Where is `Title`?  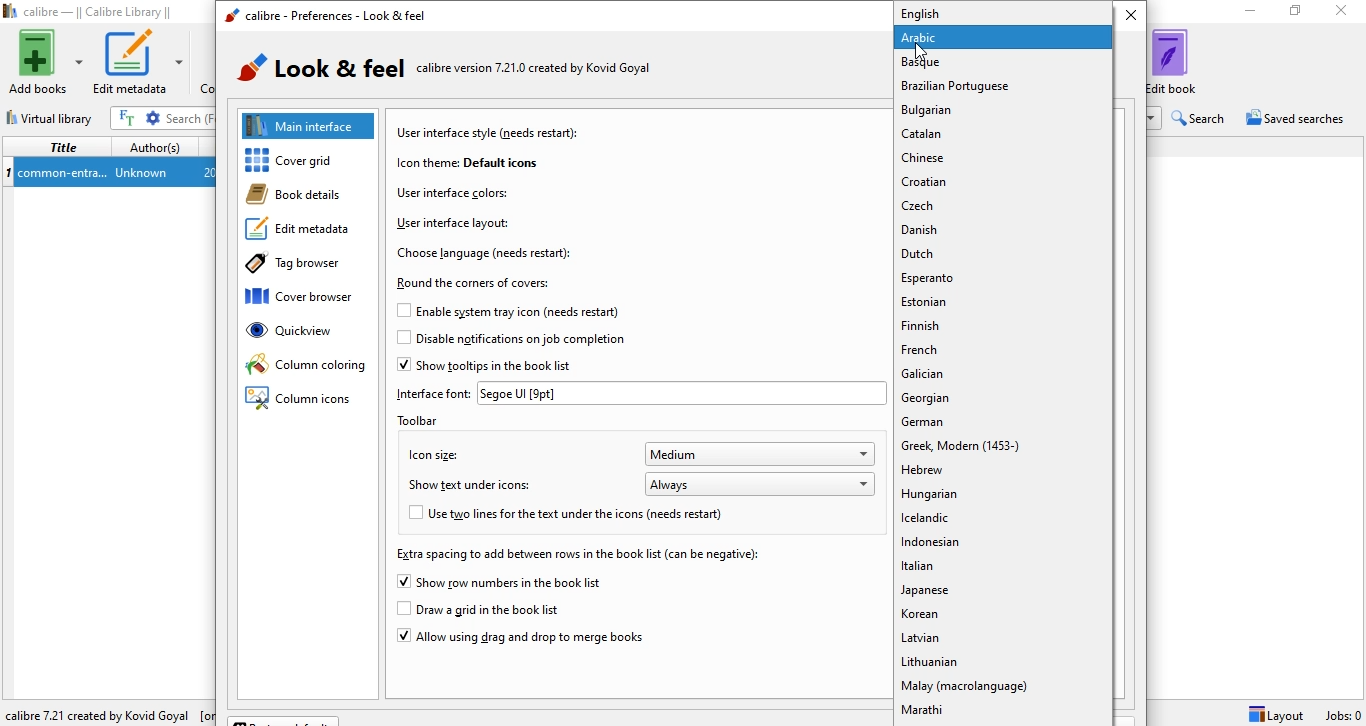 Title is located at coordinates (60, 147).